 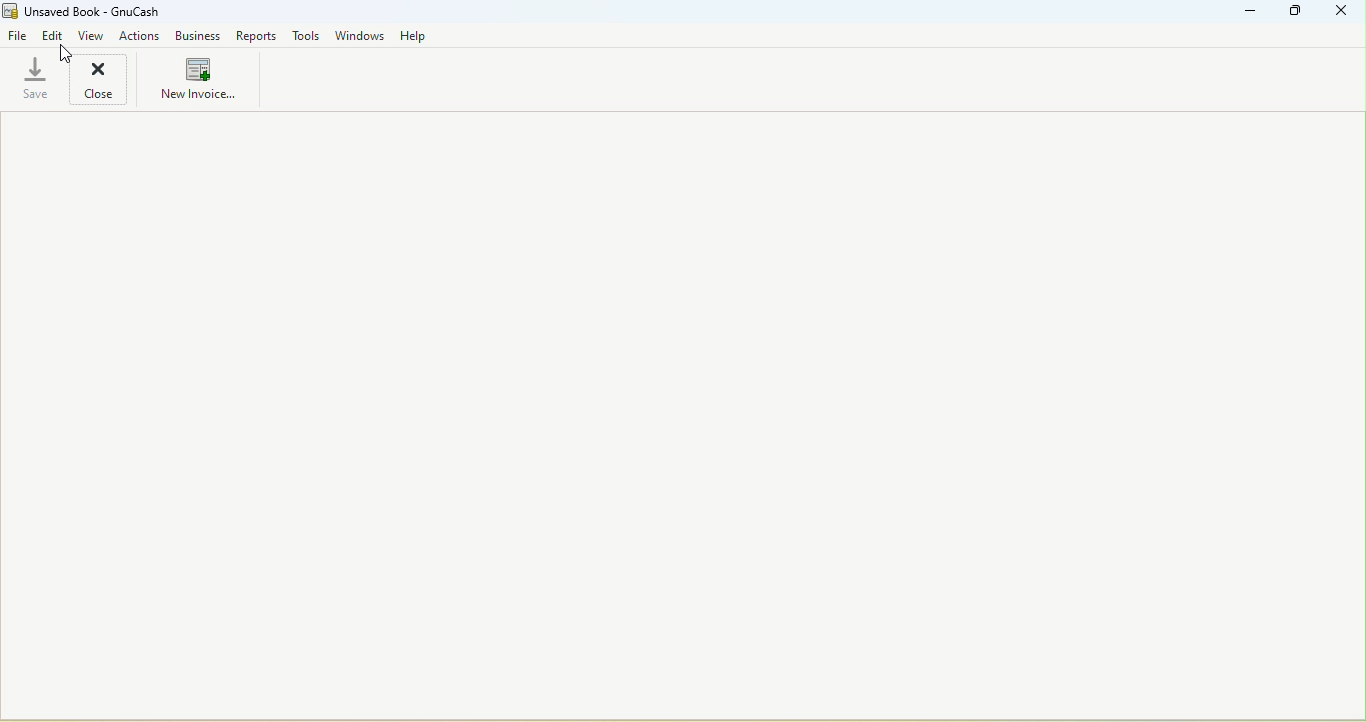 I want to click on Maximize, so click(x=1297, y=14).